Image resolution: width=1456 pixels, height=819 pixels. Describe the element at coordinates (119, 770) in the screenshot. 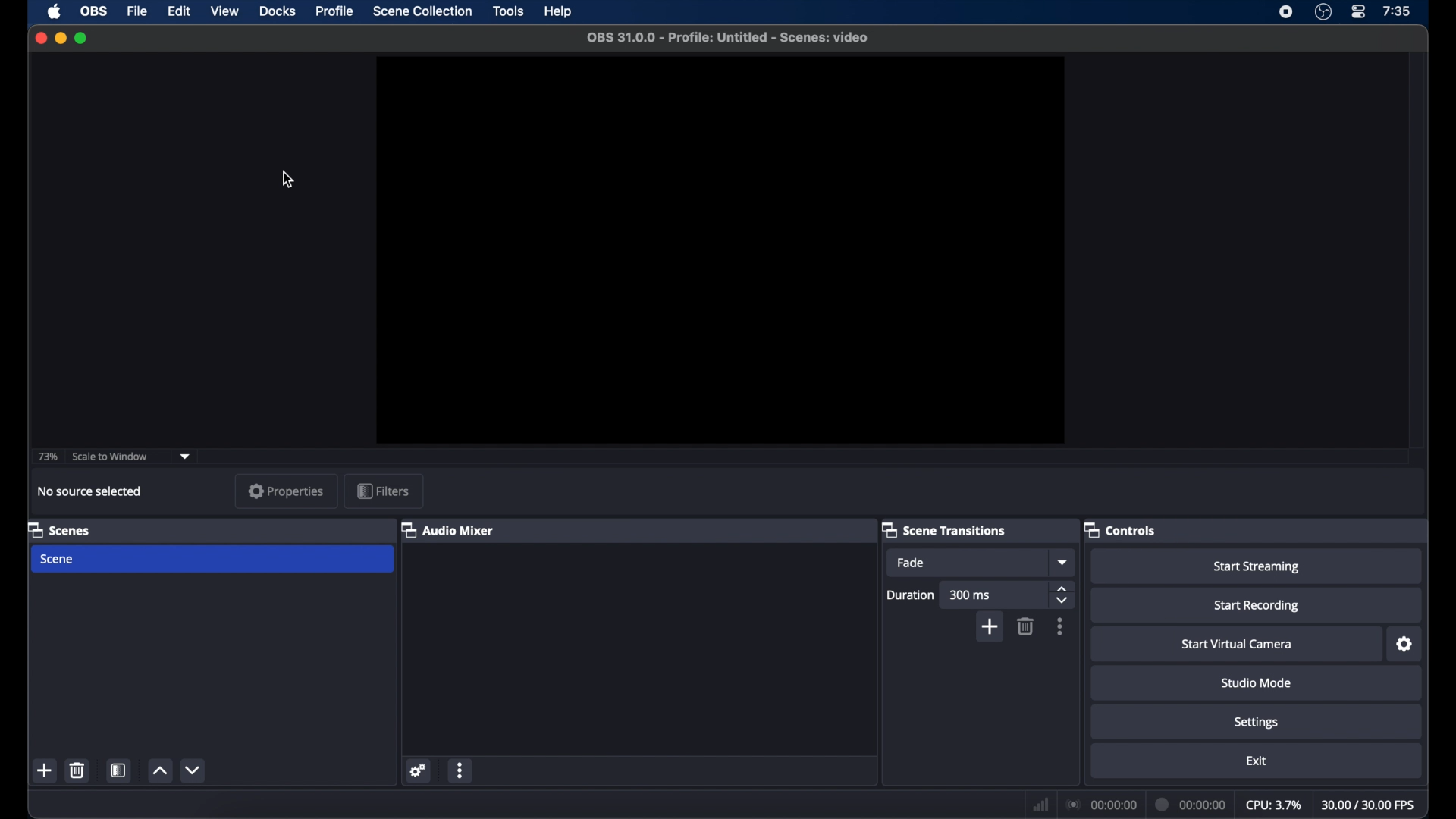

I see `scene filters` at that location.